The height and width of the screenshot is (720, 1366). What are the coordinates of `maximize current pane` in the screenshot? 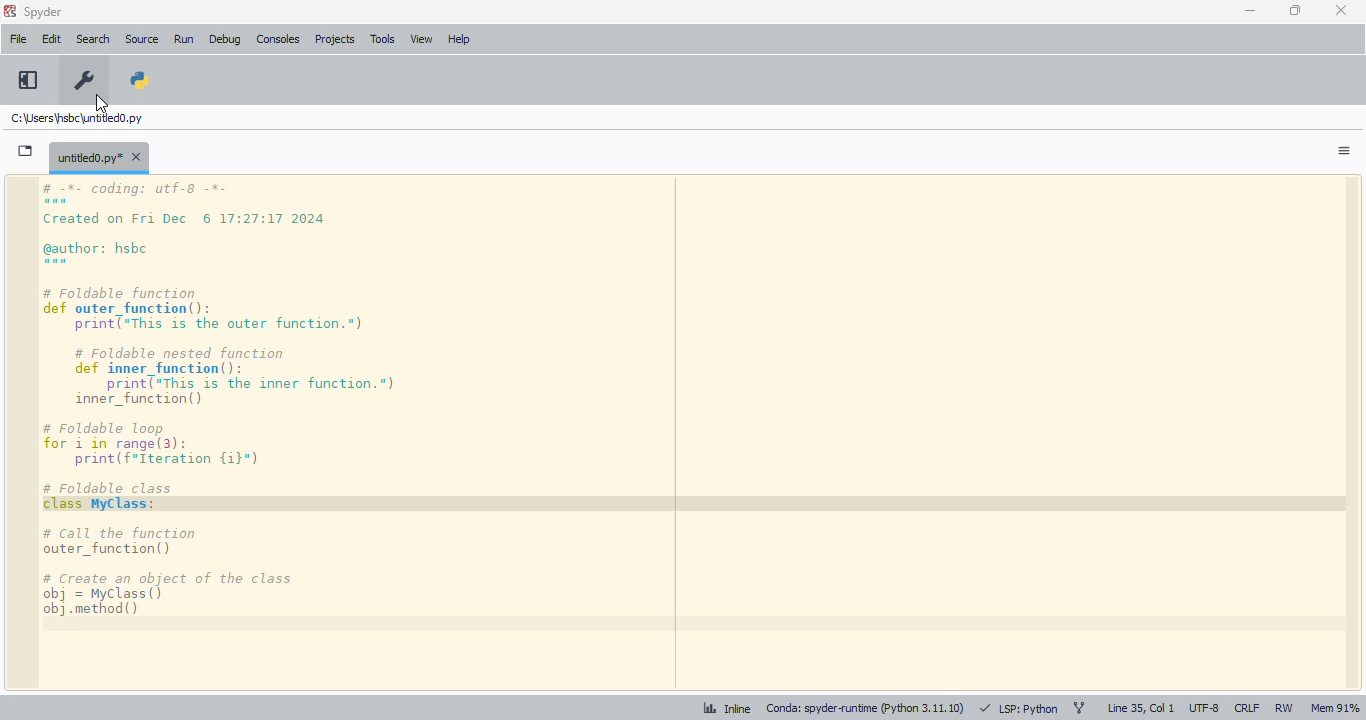 It's located at (28, 80).